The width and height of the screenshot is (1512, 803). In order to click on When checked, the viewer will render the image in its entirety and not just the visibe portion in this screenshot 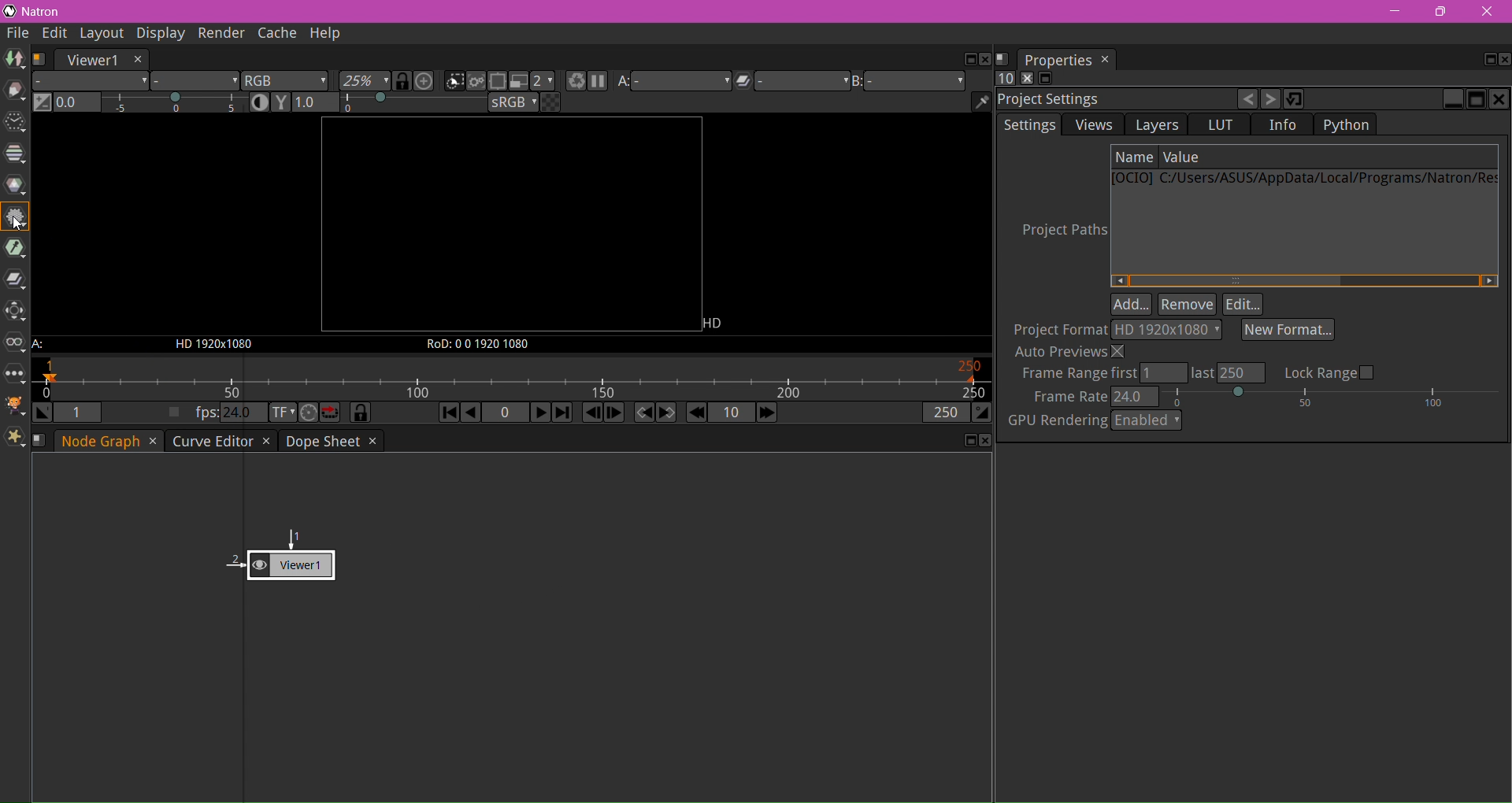, I will do `click(478, 83)`.